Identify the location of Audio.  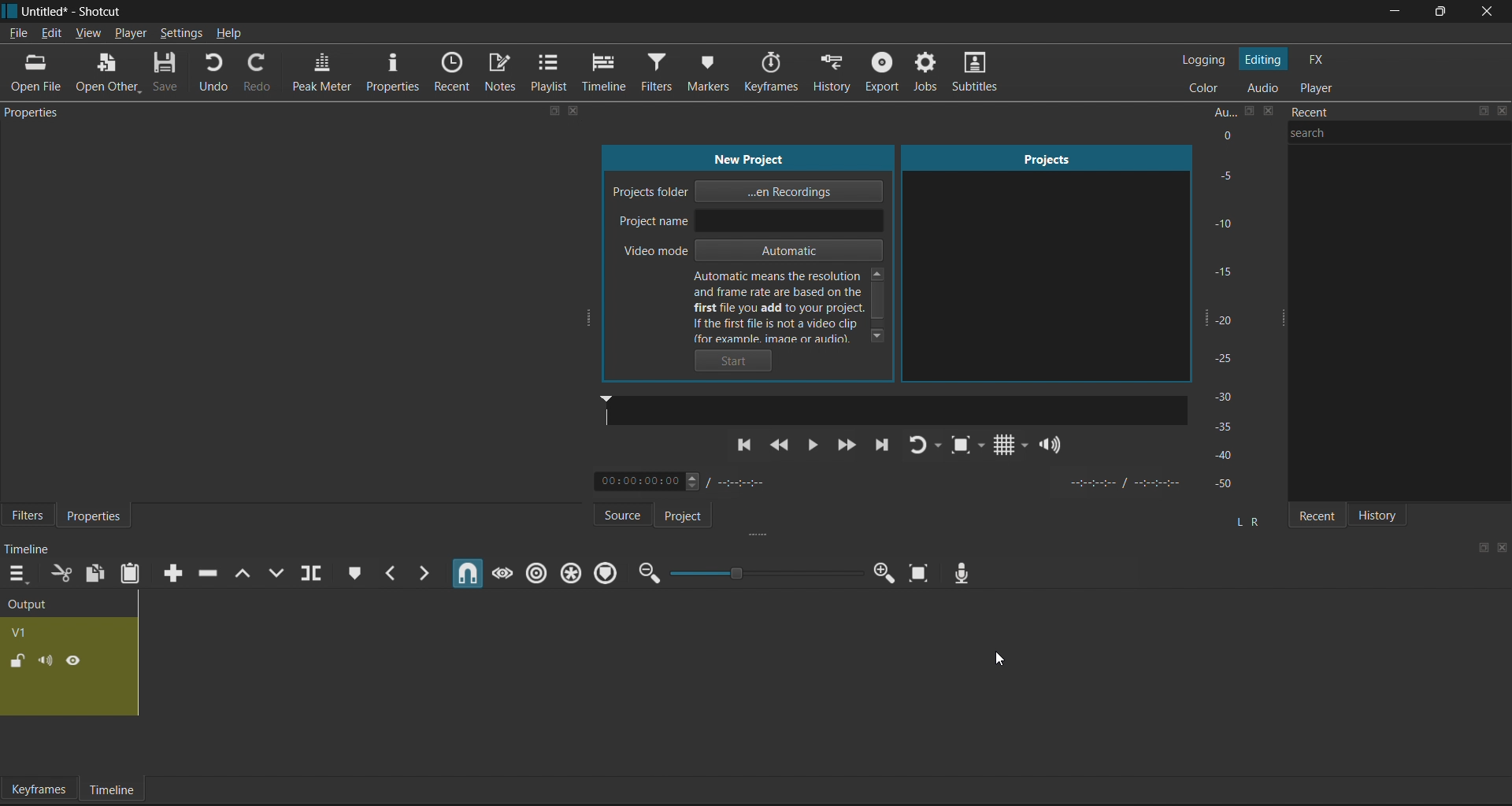
(1262, 88).